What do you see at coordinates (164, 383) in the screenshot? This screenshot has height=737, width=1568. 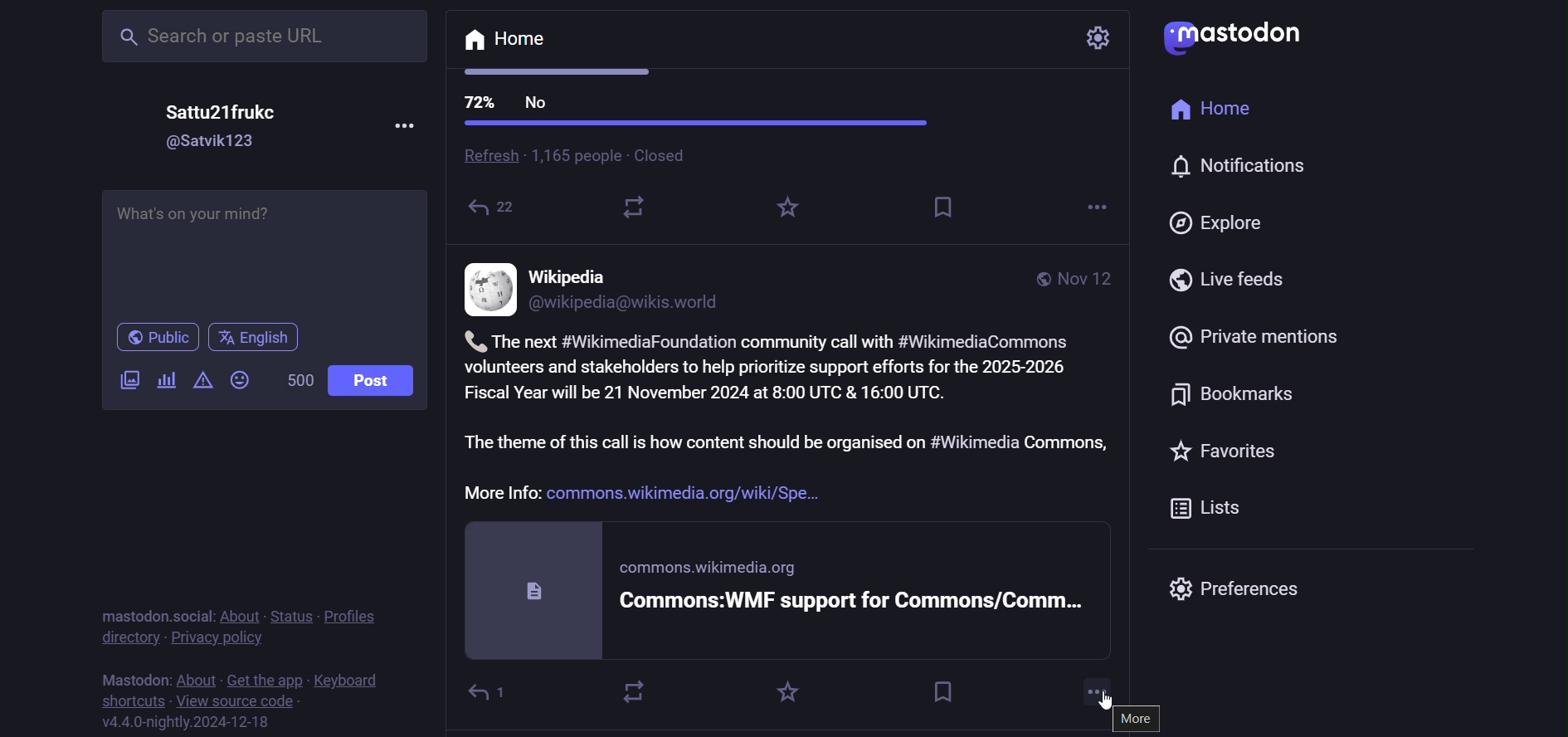 I see `poll` at bounding box center [164, 383].